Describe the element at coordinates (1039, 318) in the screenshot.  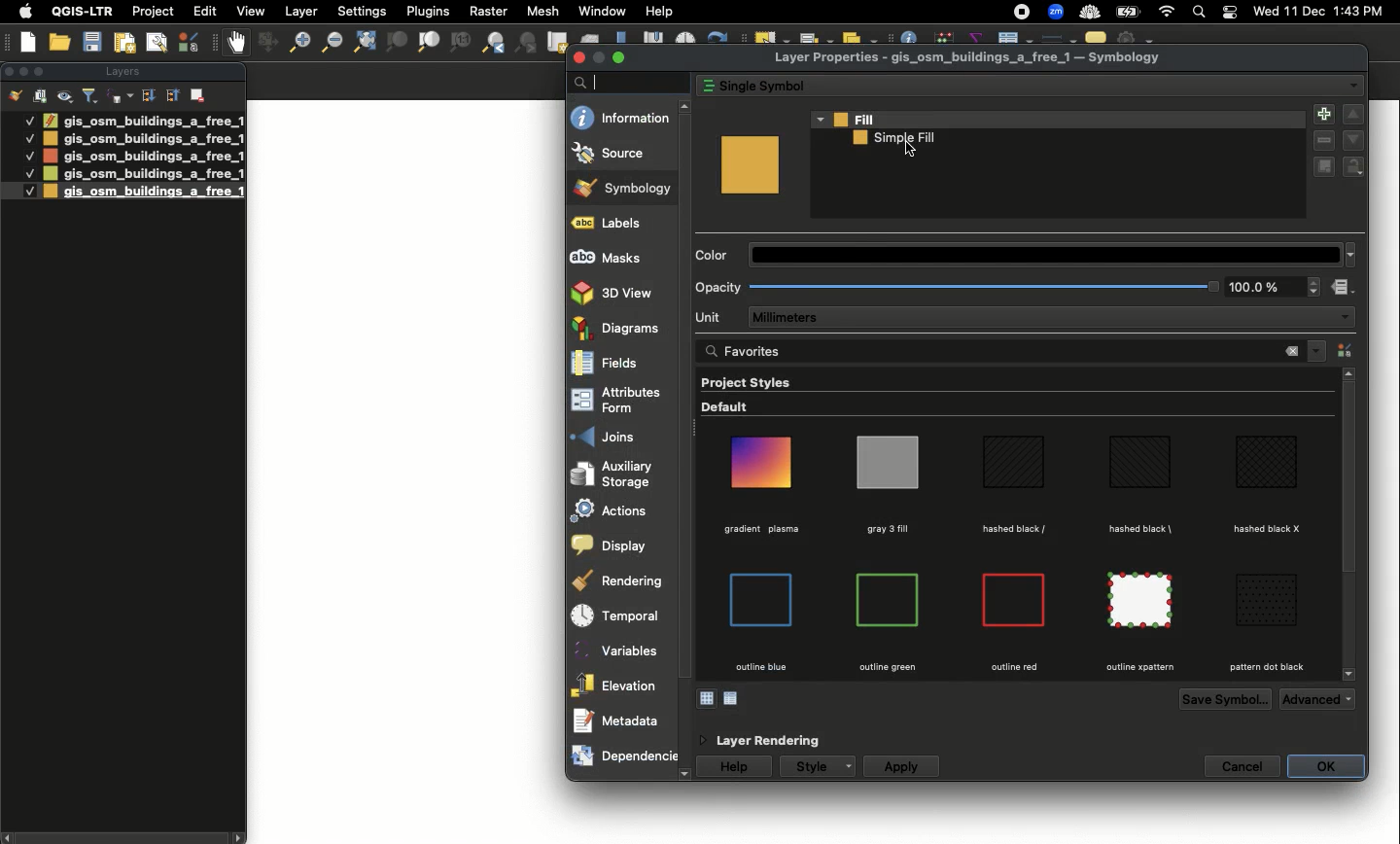
I see `Milimeters` at that location.